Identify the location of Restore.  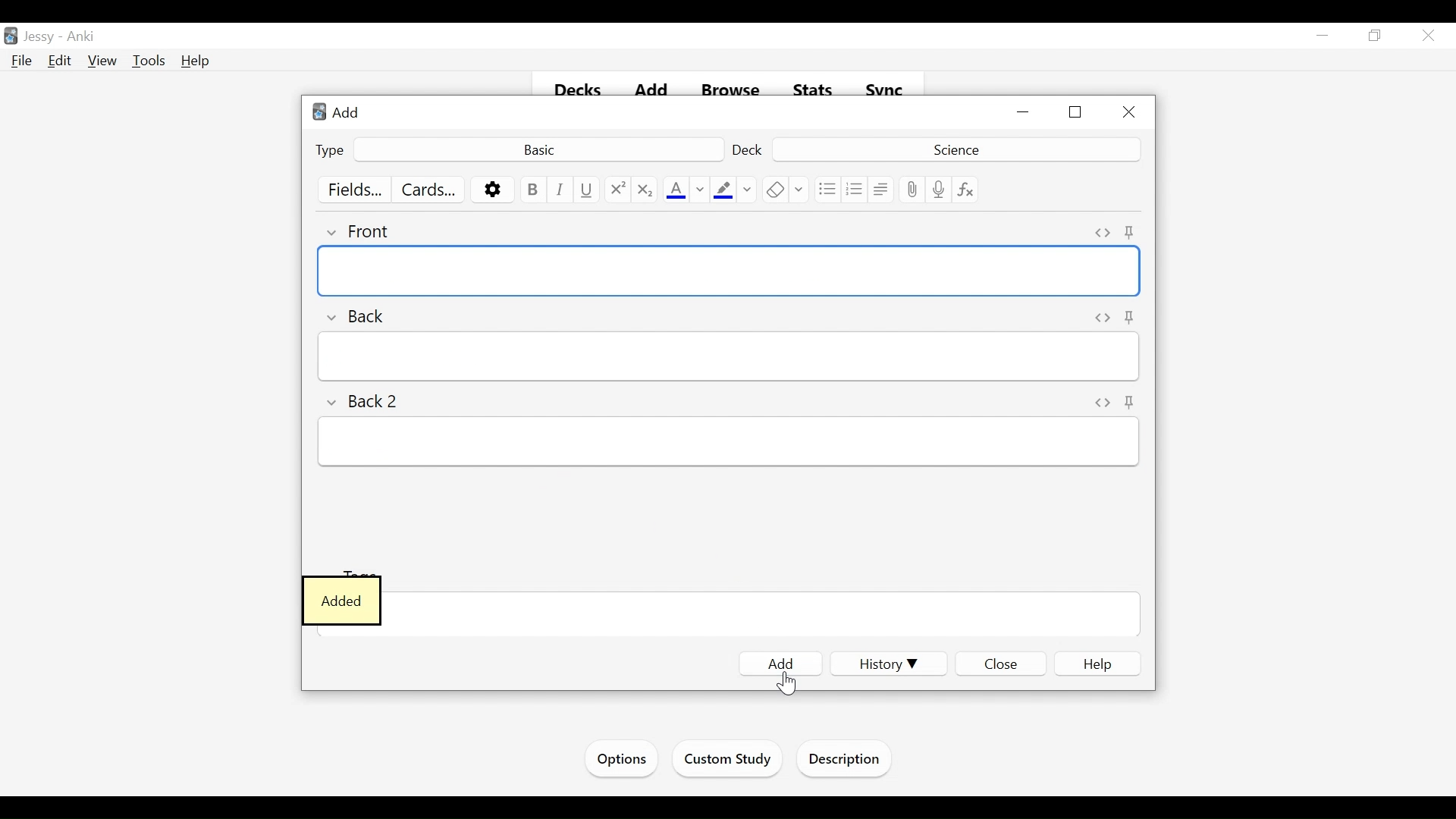
(1373, 36).